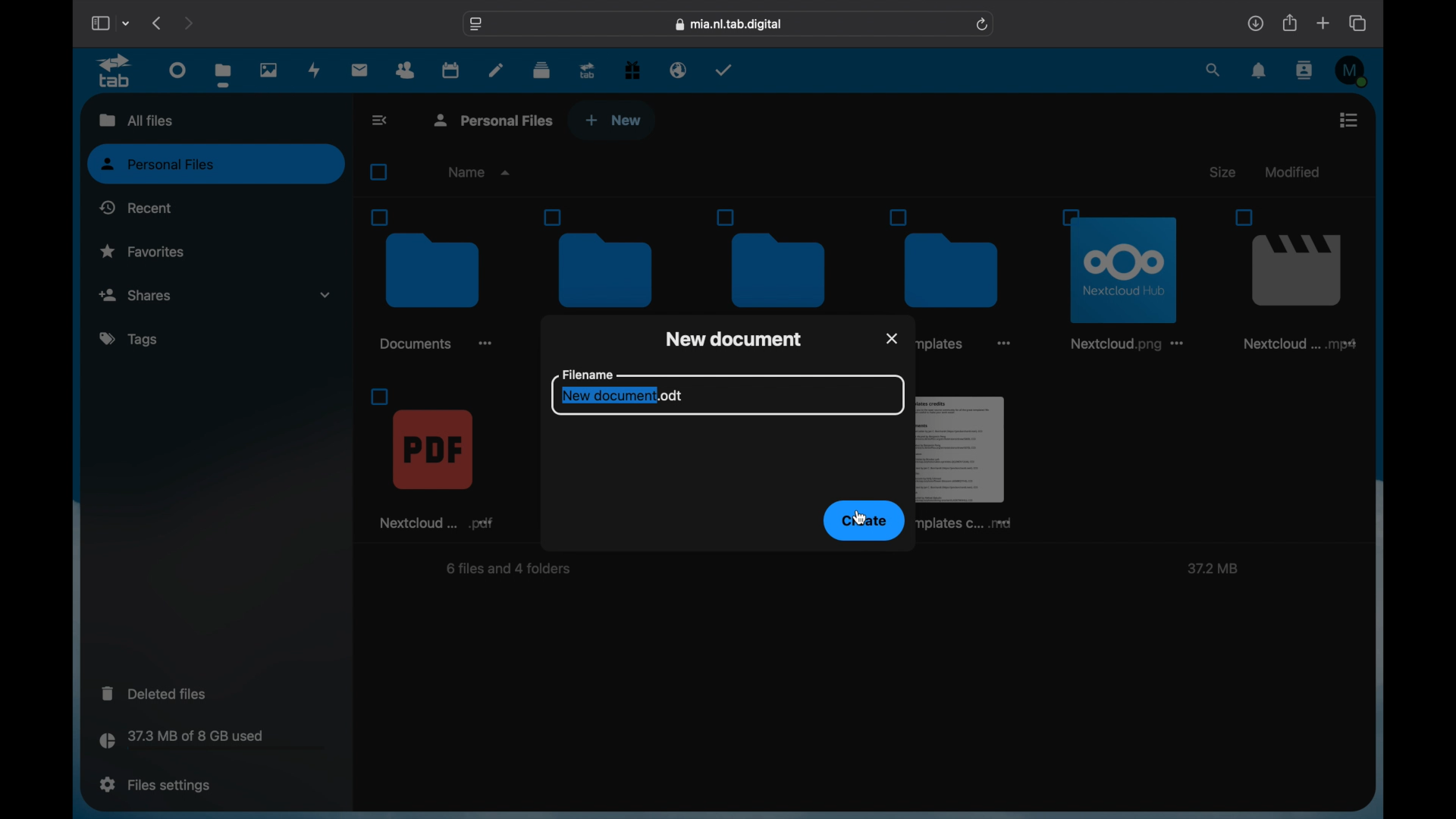 The height and width of the screenshot is (819, 1456). I want to click on personal files, so click(218, 165).